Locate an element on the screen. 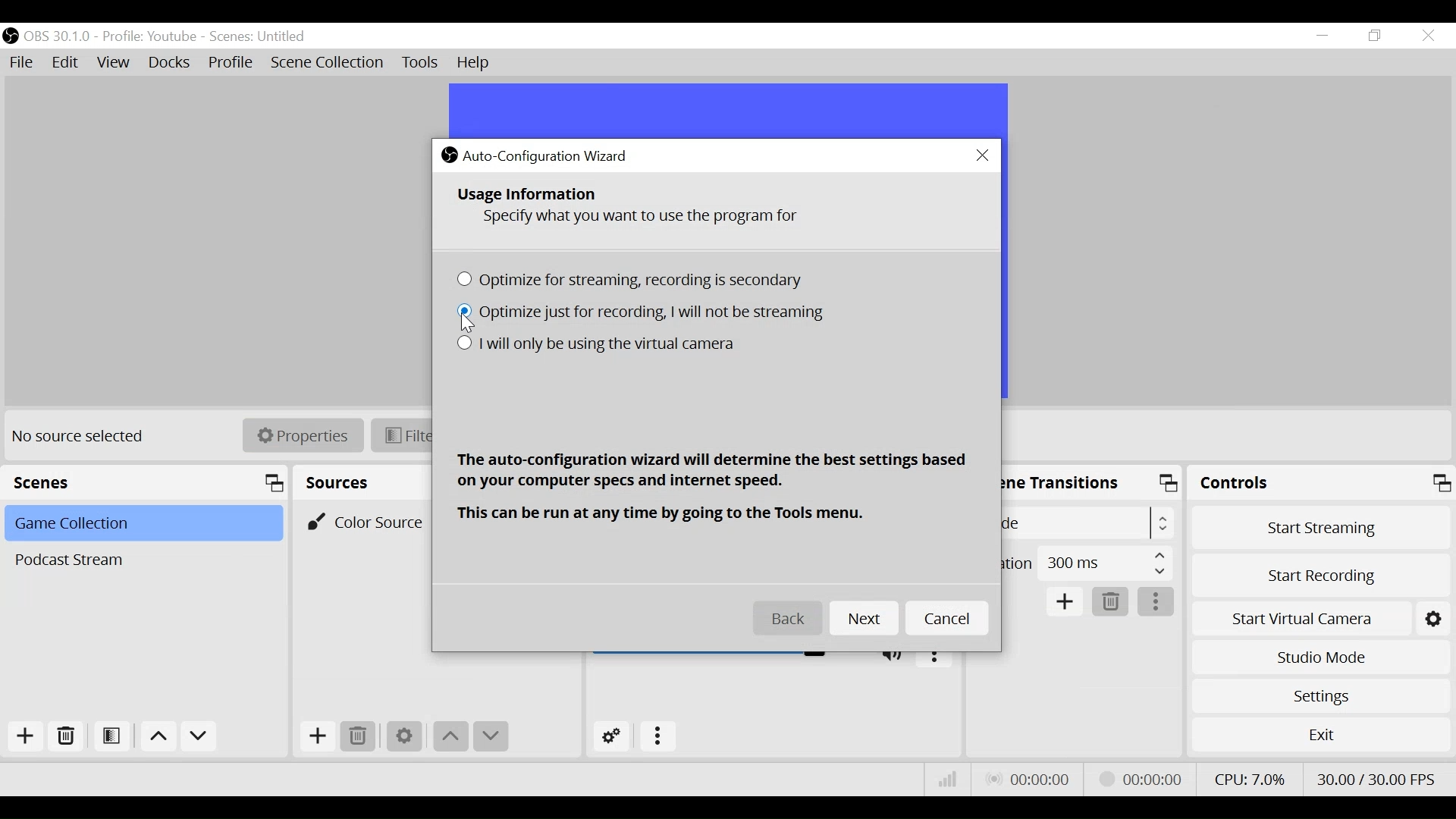 This screenshot has height=819, width=1456. Live Status is located at coordinates (1030, 779).